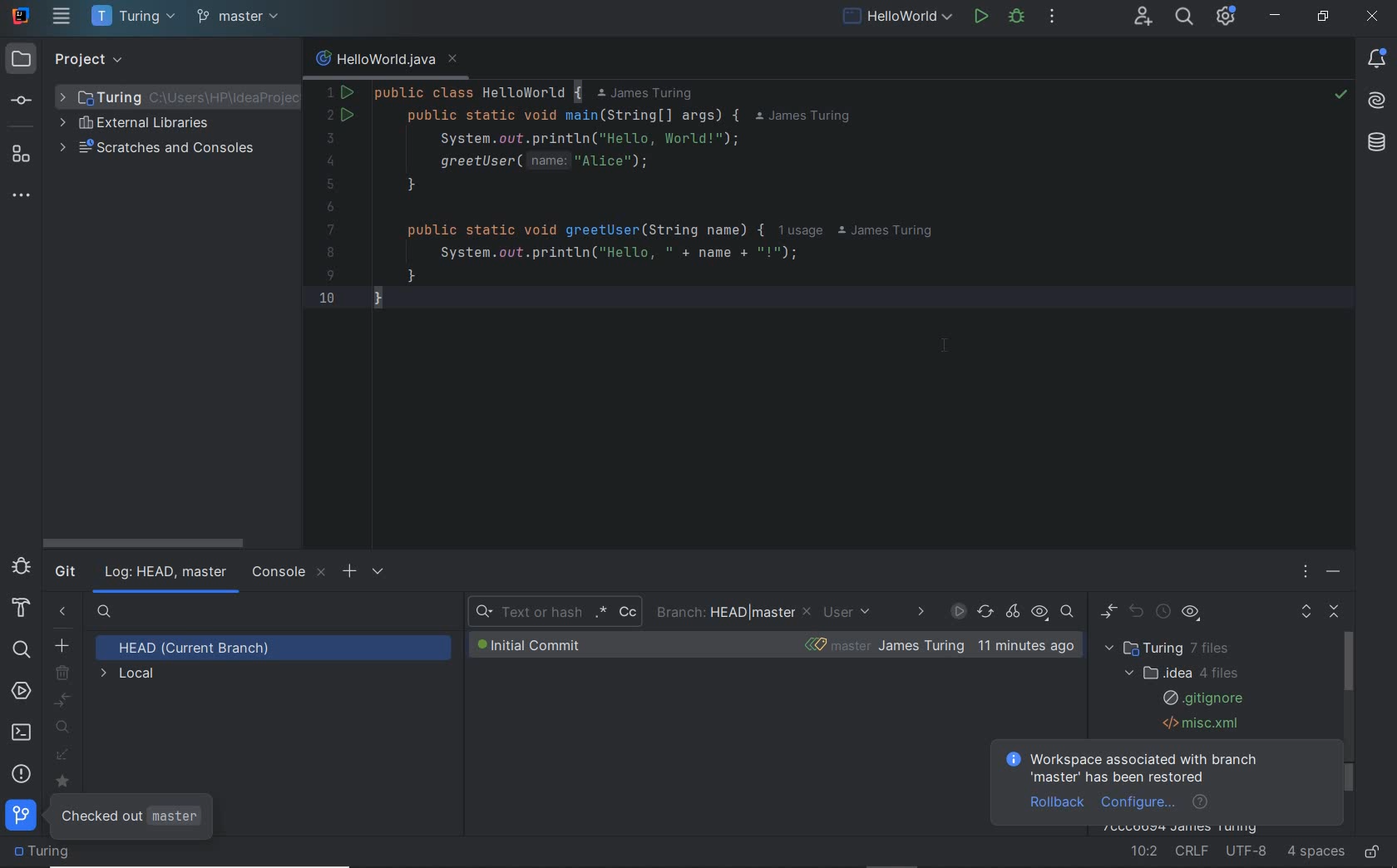 The height and width of the screenshot is (868, 1397). What do you see at coordinates (330, 184) in the screenshot?
I see `5` at bounding box center [330, 184].